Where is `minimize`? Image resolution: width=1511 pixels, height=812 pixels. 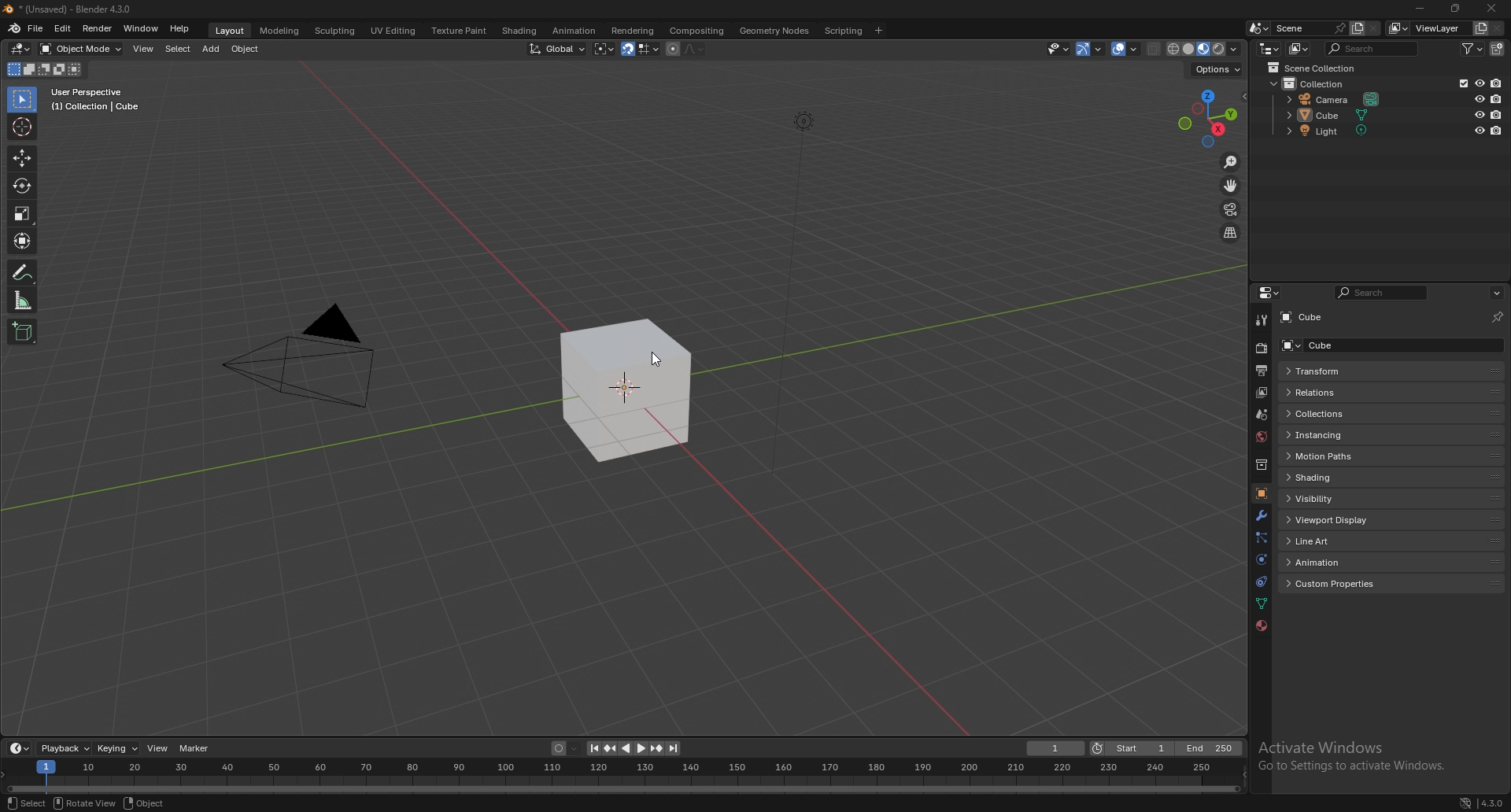 minimize is located at coordinates (1420, 9).